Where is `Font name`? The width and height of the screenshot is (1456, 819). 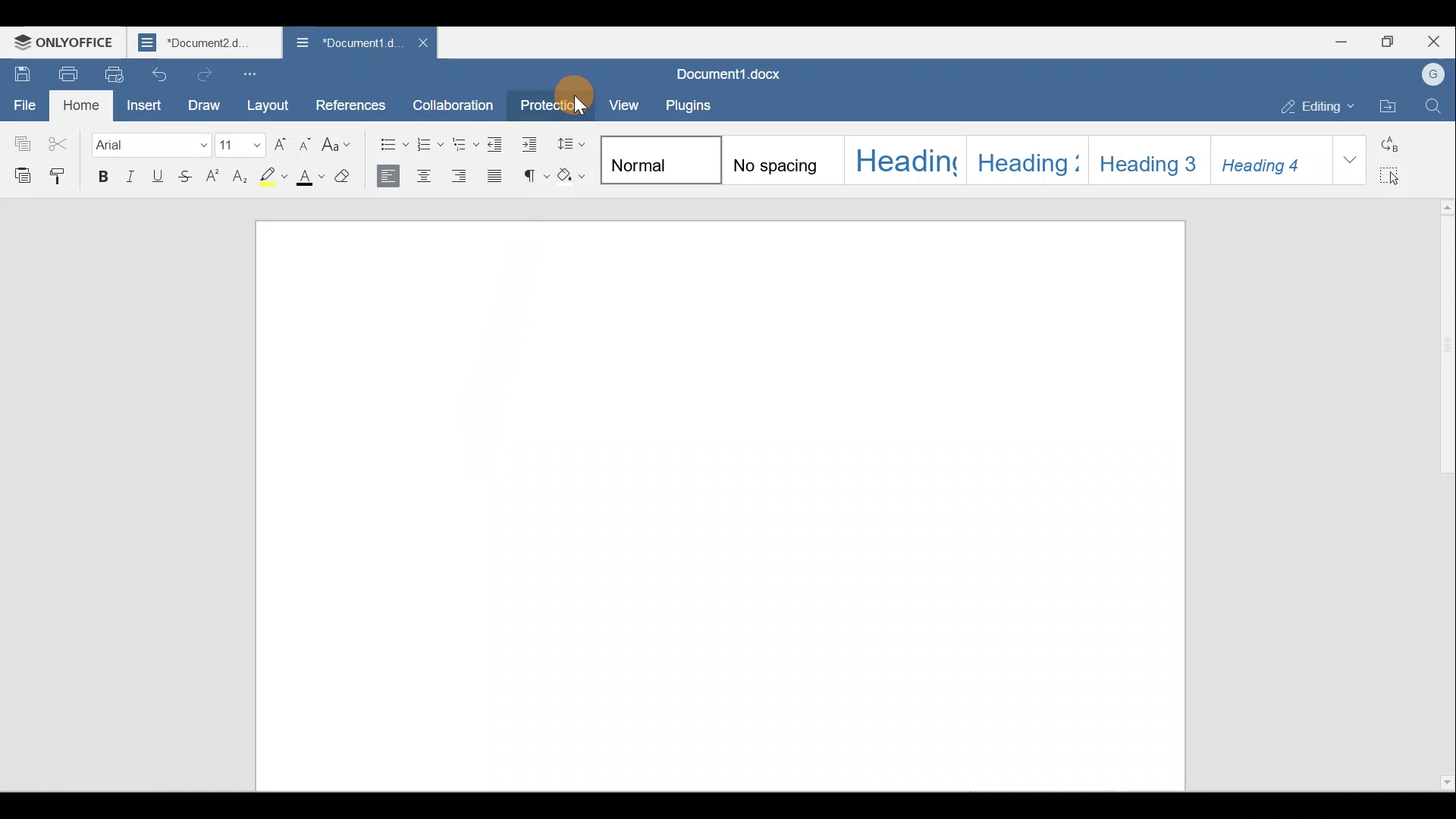 Font name is located at coordinates (155, 147).